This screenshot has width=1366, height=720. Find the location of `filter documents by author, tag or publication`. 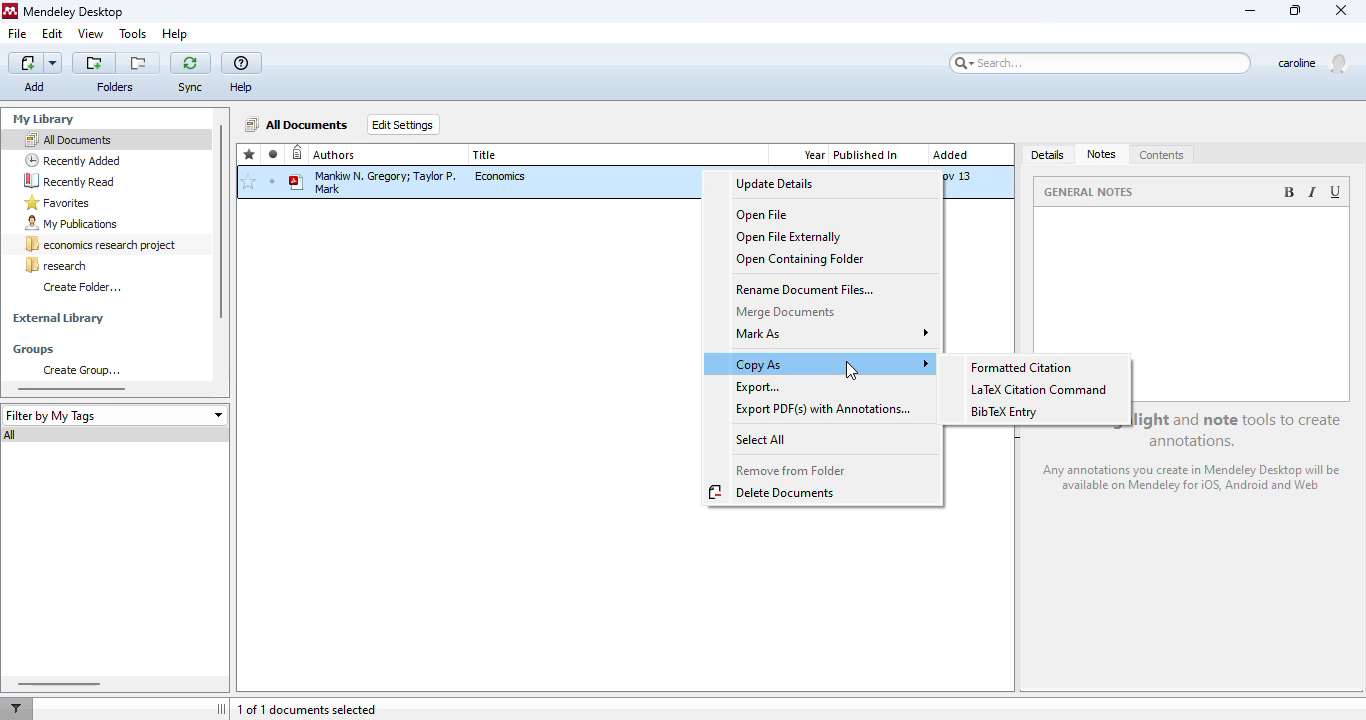

filter documents by author, tag or publication is located at coordinates (15, 709).